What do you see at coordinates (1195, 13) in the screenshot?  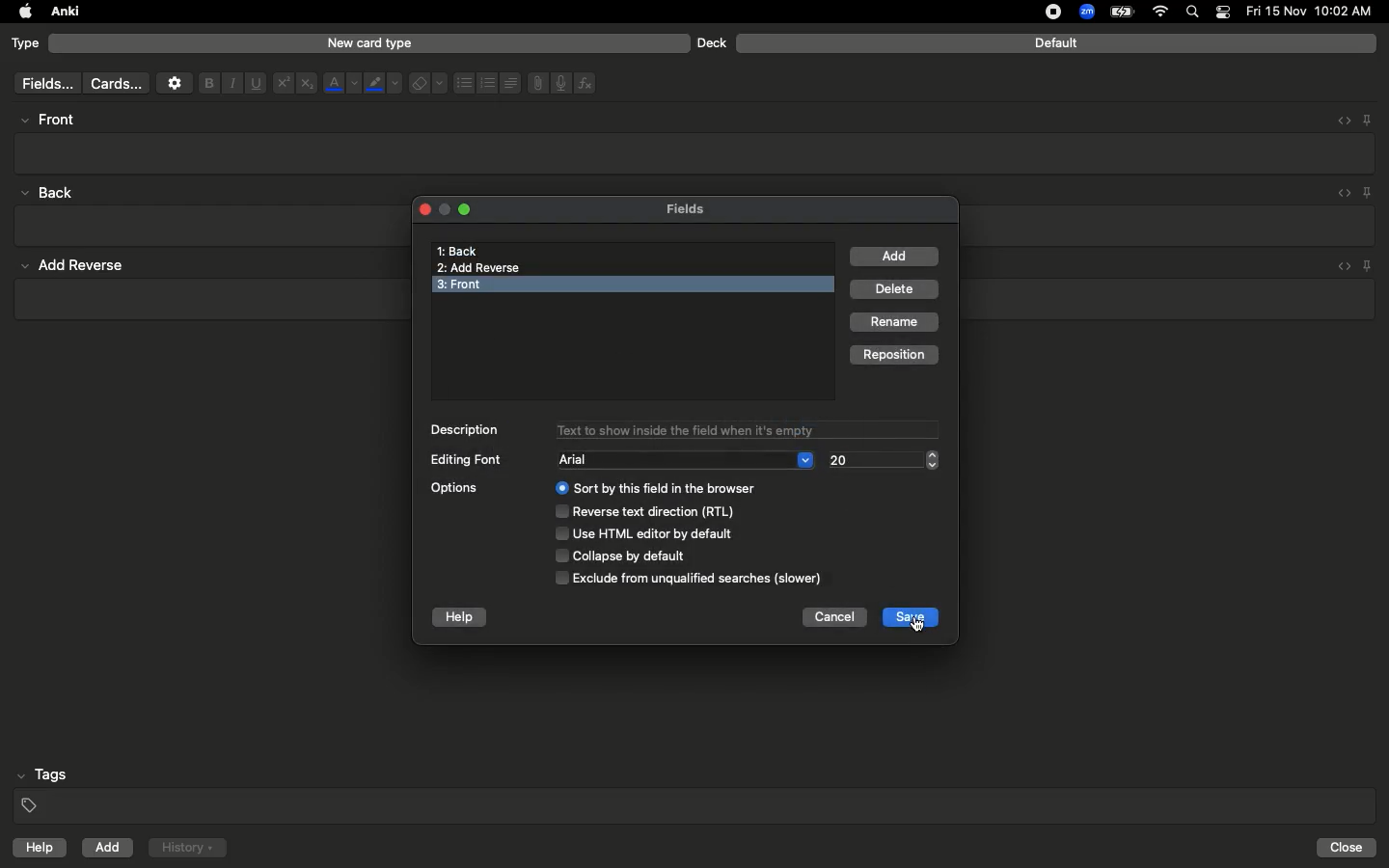 I see `Search` at bounding box center [1195, 13].